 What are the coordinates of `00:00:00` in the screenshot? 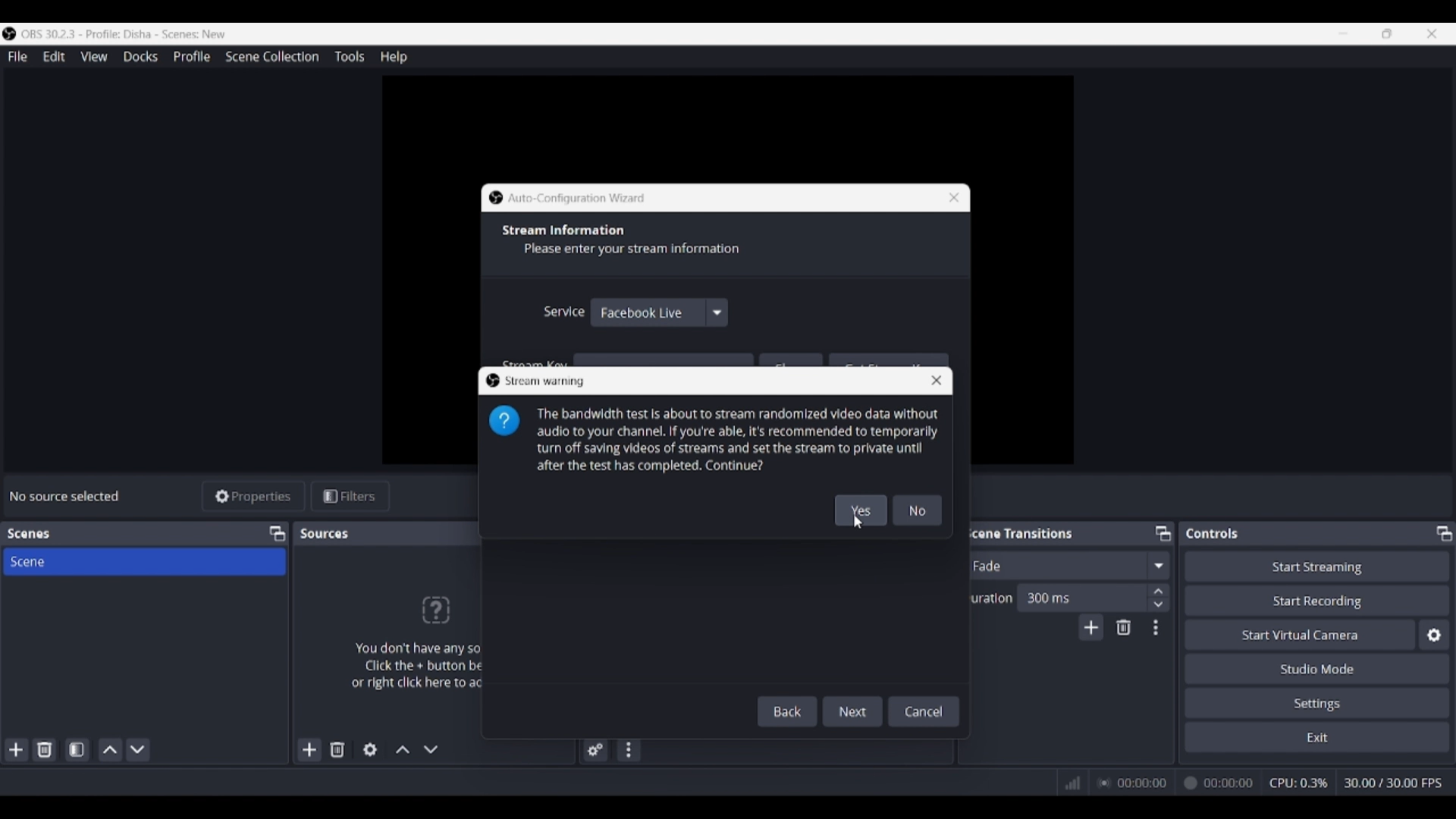 It's located at (1178, 783).